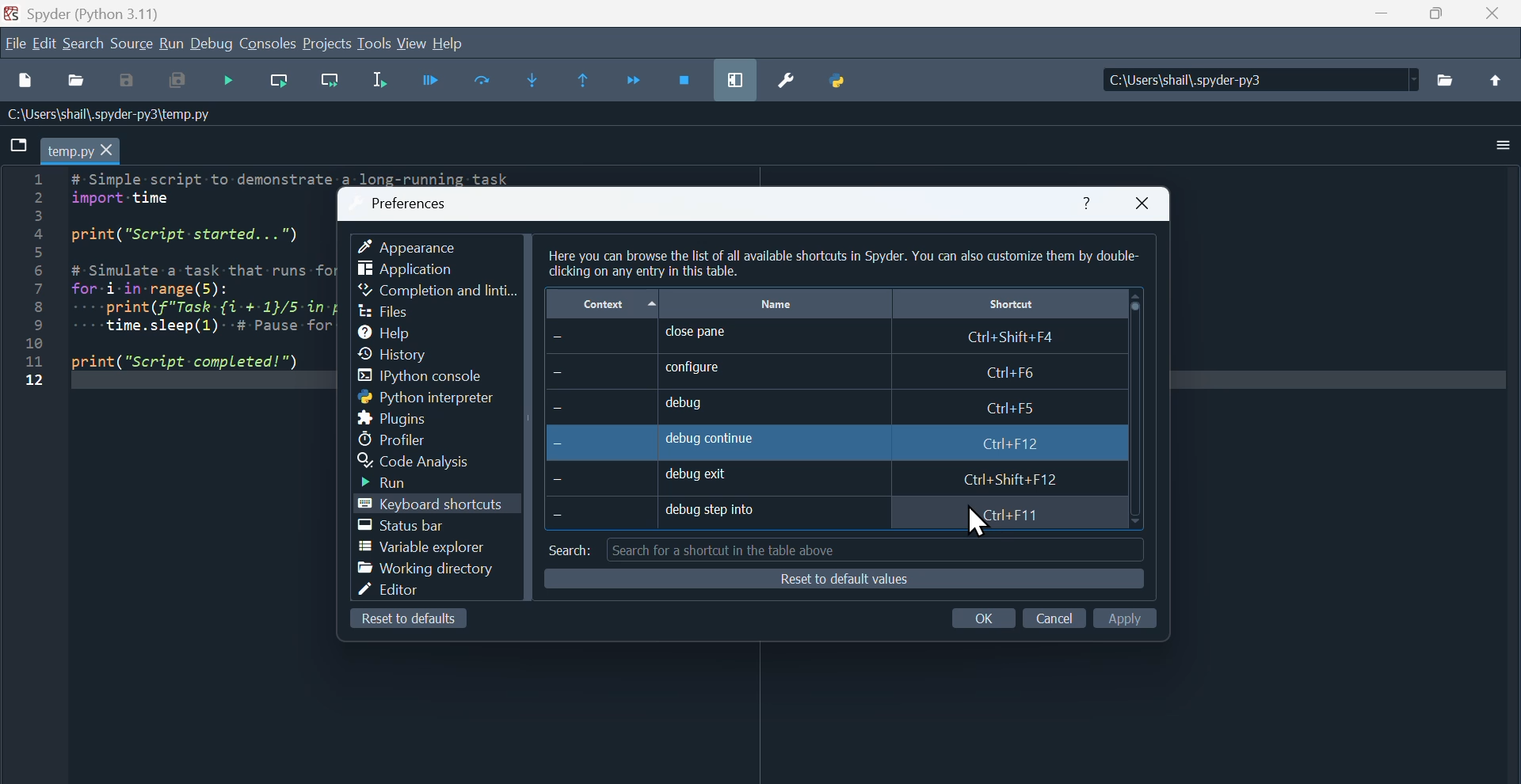 The height and width of the screenshot is (784, 1521). What do you see at coordinates (825, 337) in the screenshot?
I see `dose pane` at bounding box center [825, 337].